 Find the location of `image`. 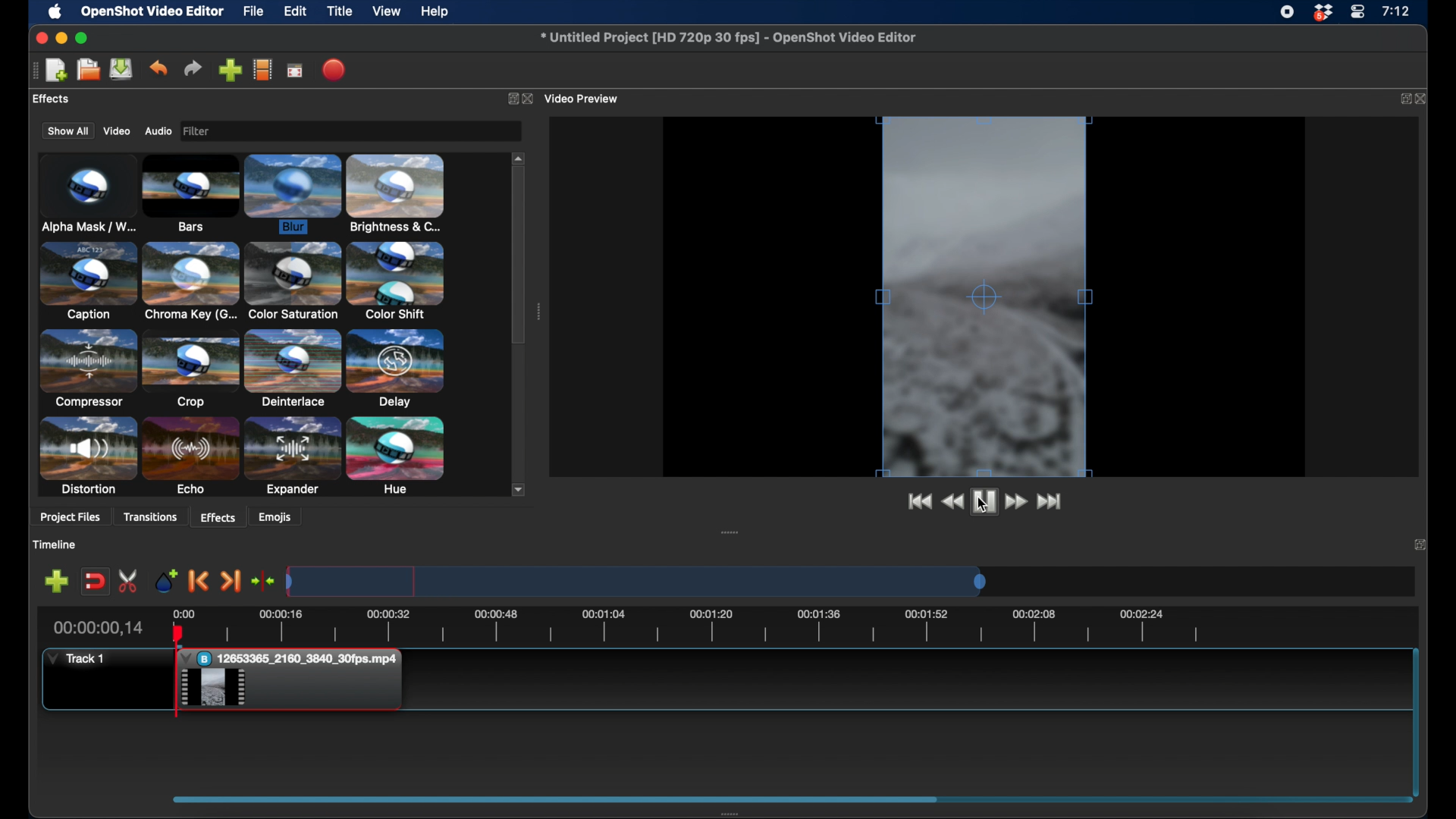

image is located at coordinates (200, 132).